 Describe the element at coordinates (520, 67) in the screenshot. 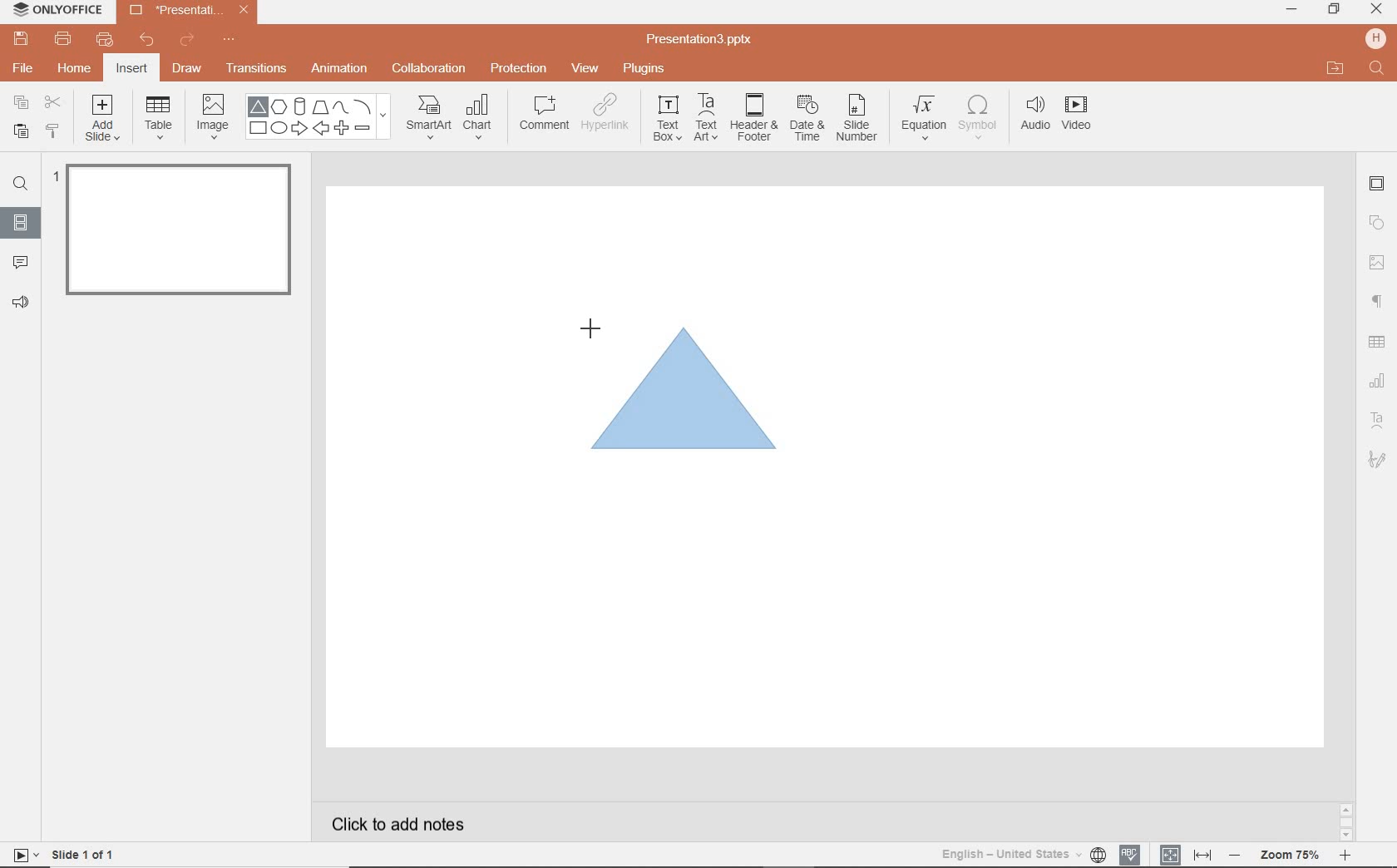

I see `PROTECTION` at that location.